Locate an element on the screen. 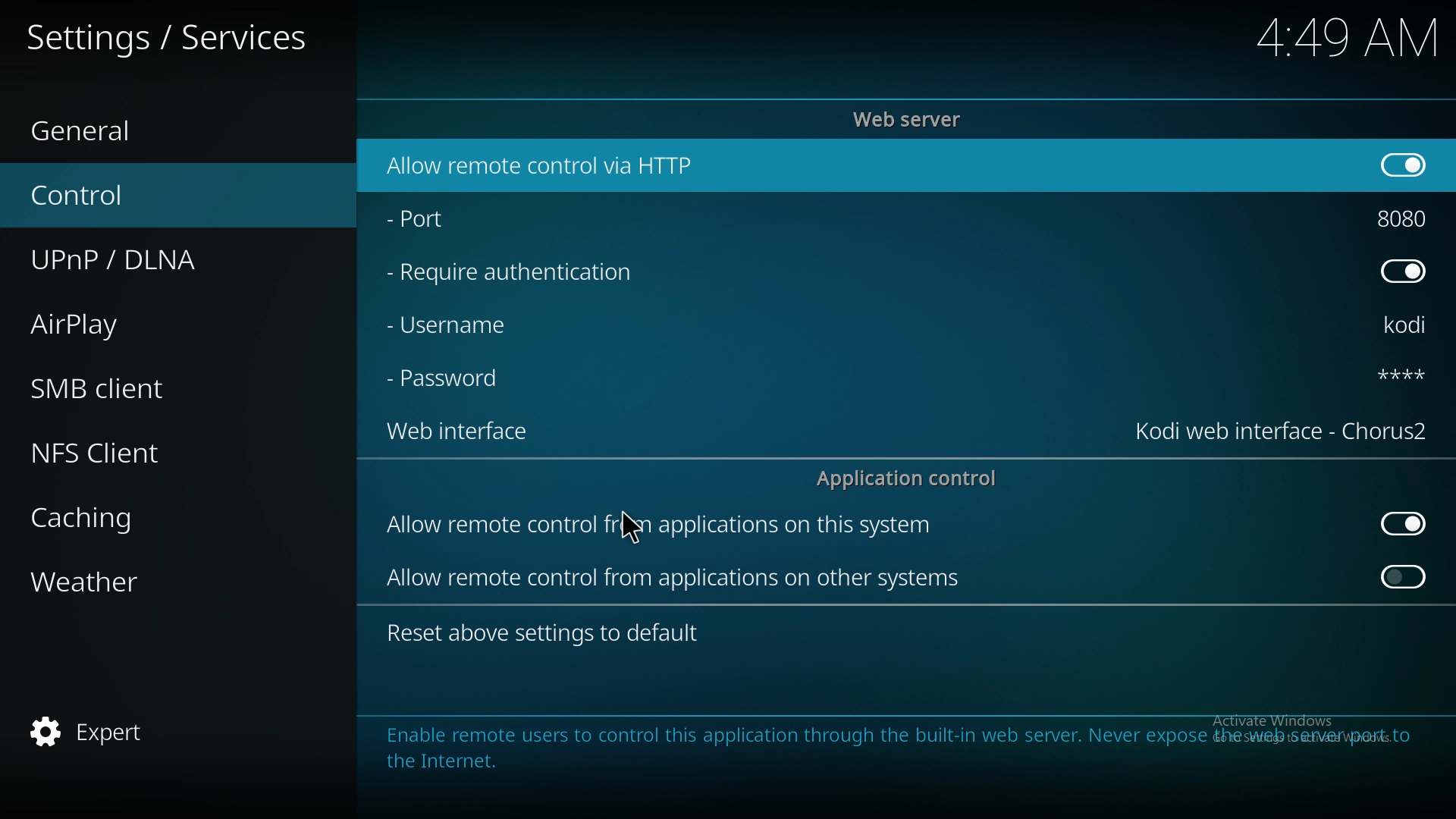 The width and height of the screenshot is (1456, 819). allow remote control from apps on other system is located at coordinates (681, 580).